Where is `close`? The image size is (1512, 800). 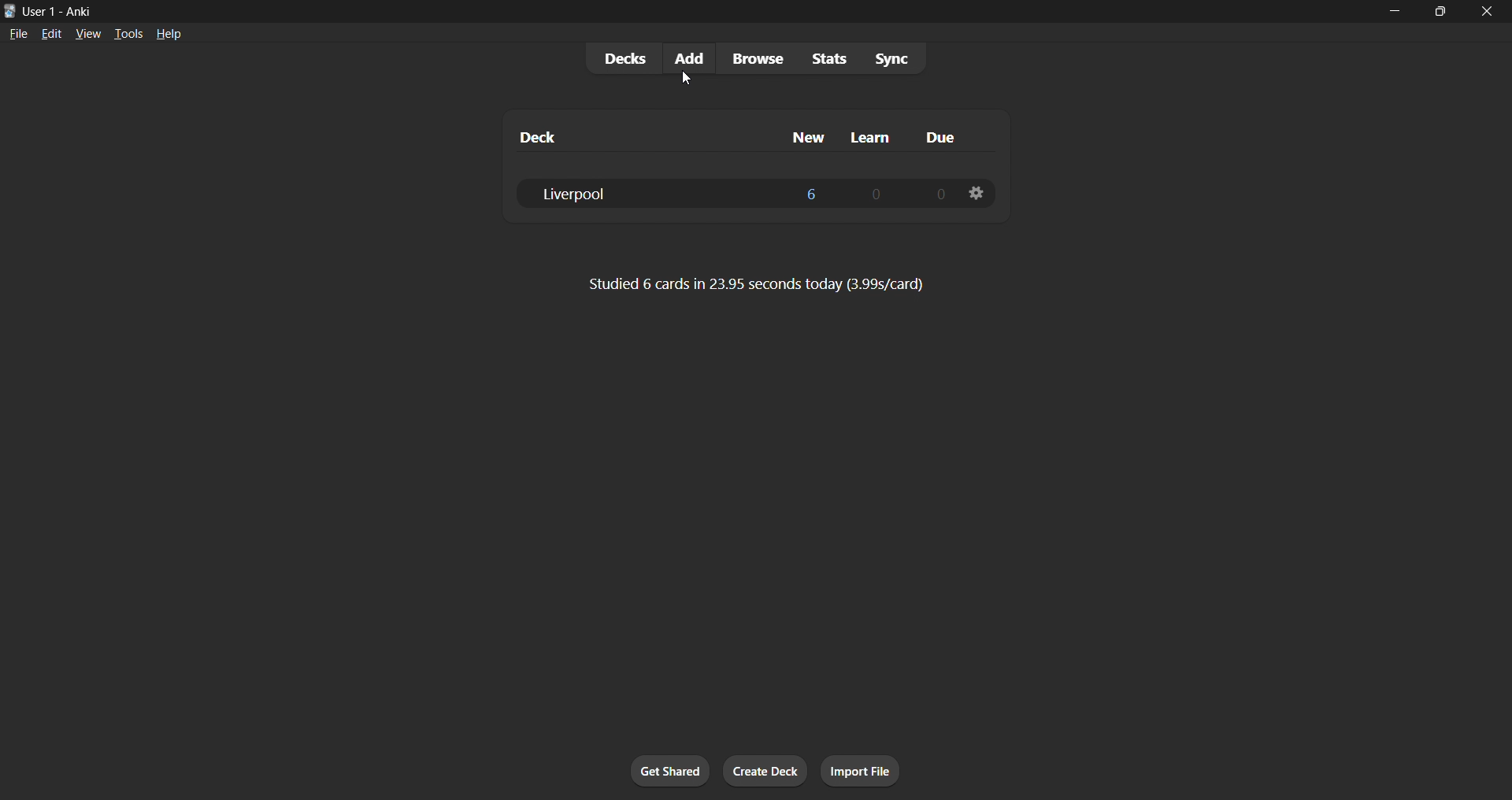
close is located at coordinates (1487, 12).